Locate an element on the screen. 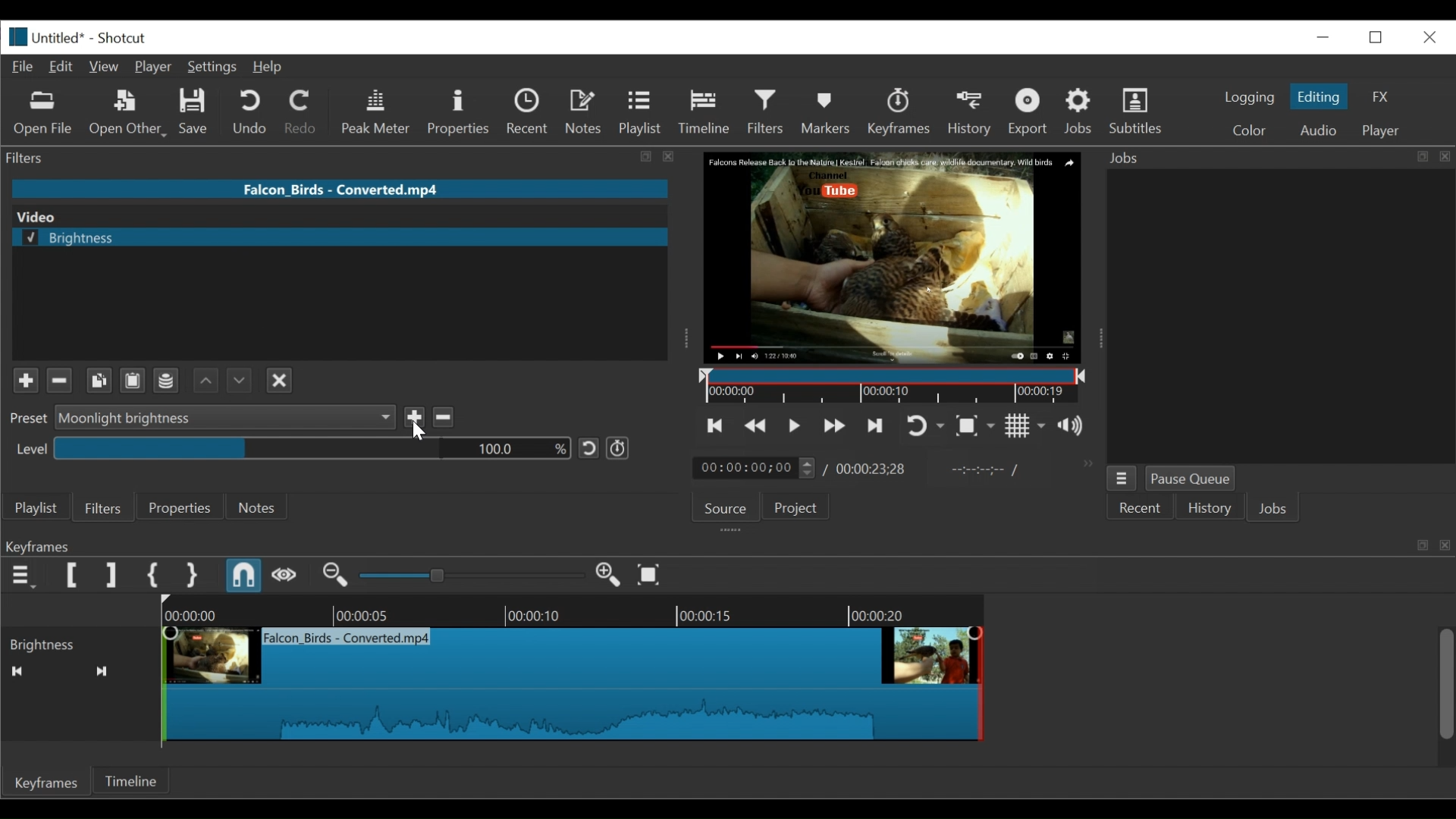  Set Filter First is located at coordinates (74, 576).